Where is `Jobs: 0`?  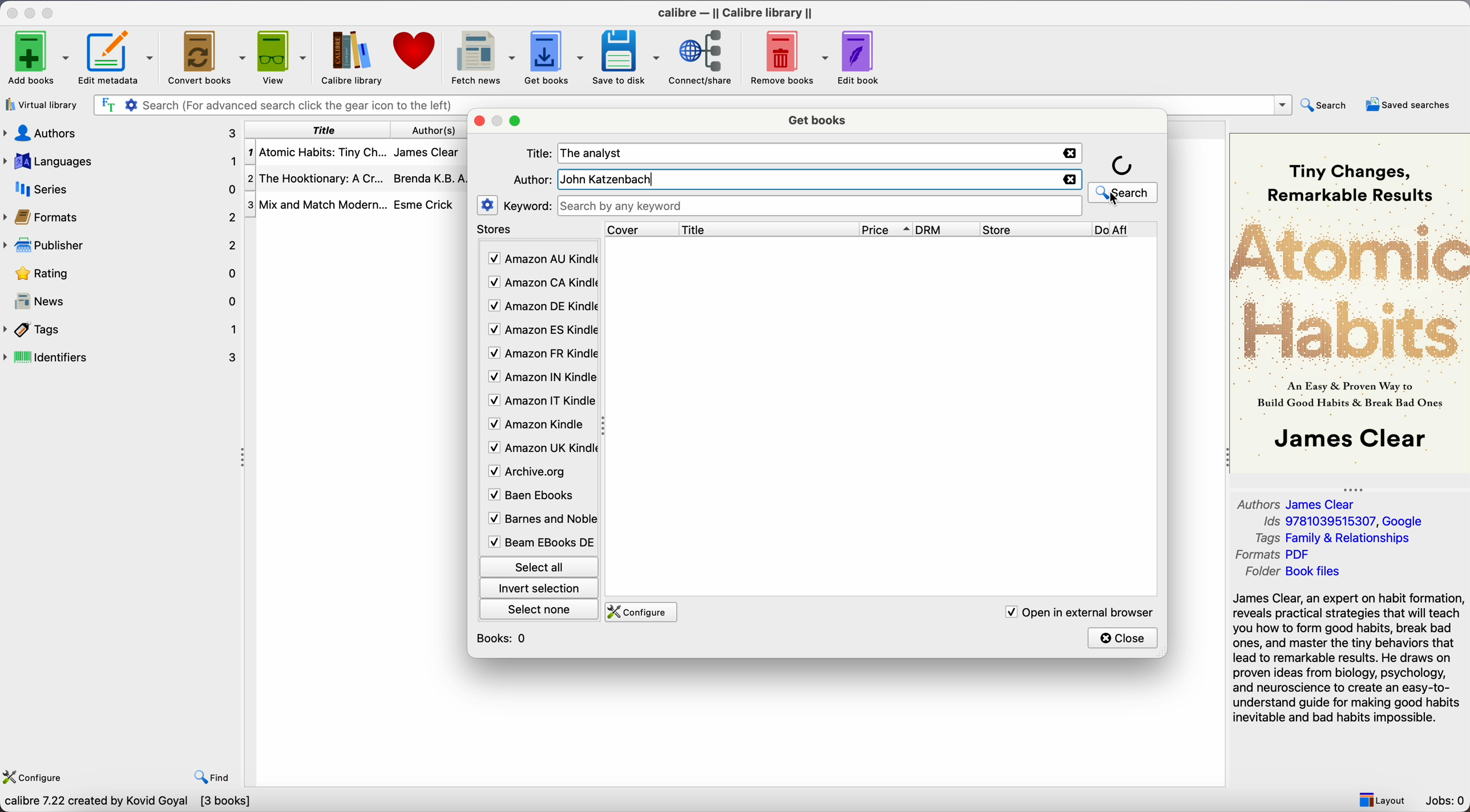 Jobs: 0 is located at coordinates (1447, 802).